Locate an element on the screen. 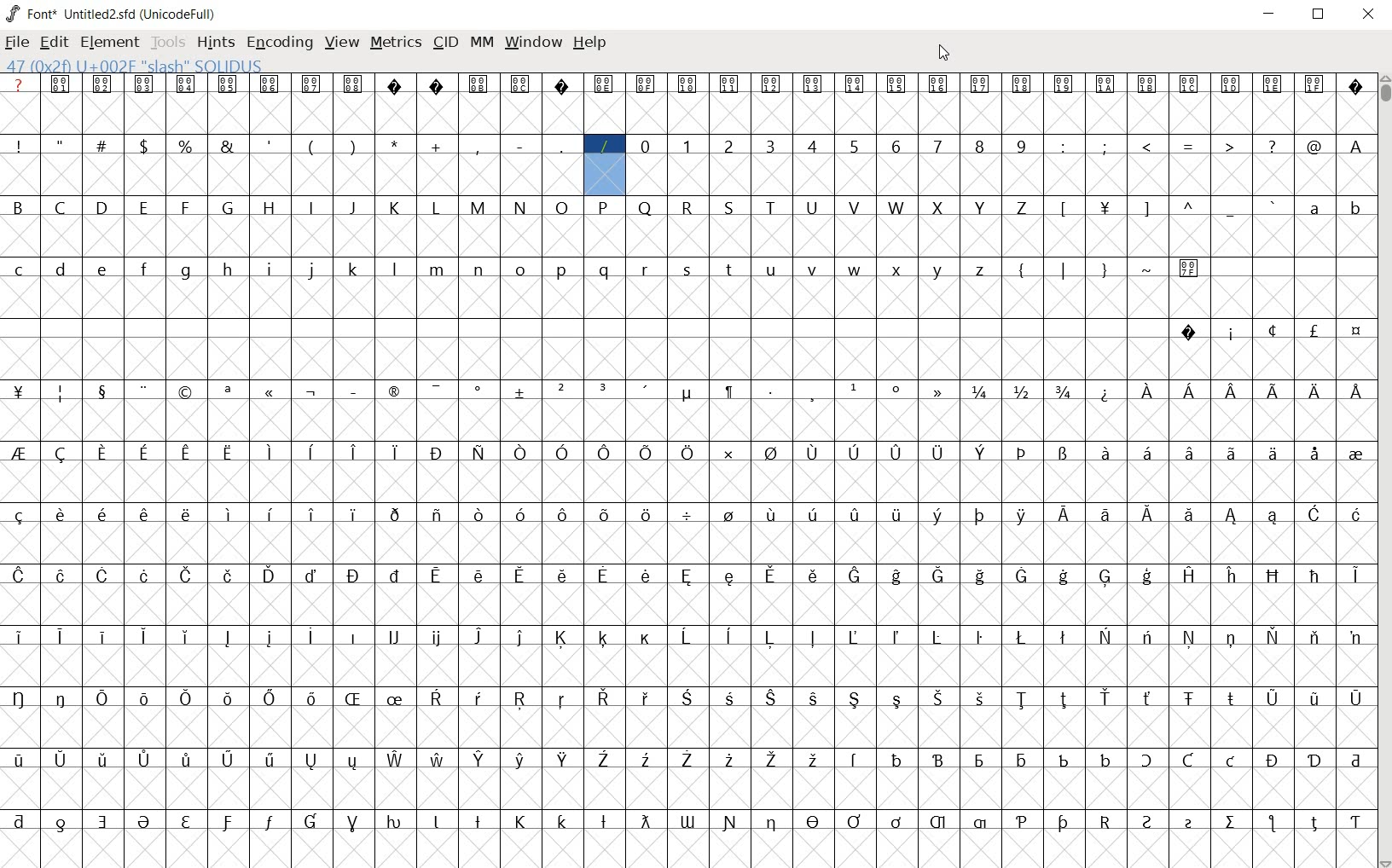 This screenshot has height=868, width=1392. glyph is located at coordinates (1357, 211).